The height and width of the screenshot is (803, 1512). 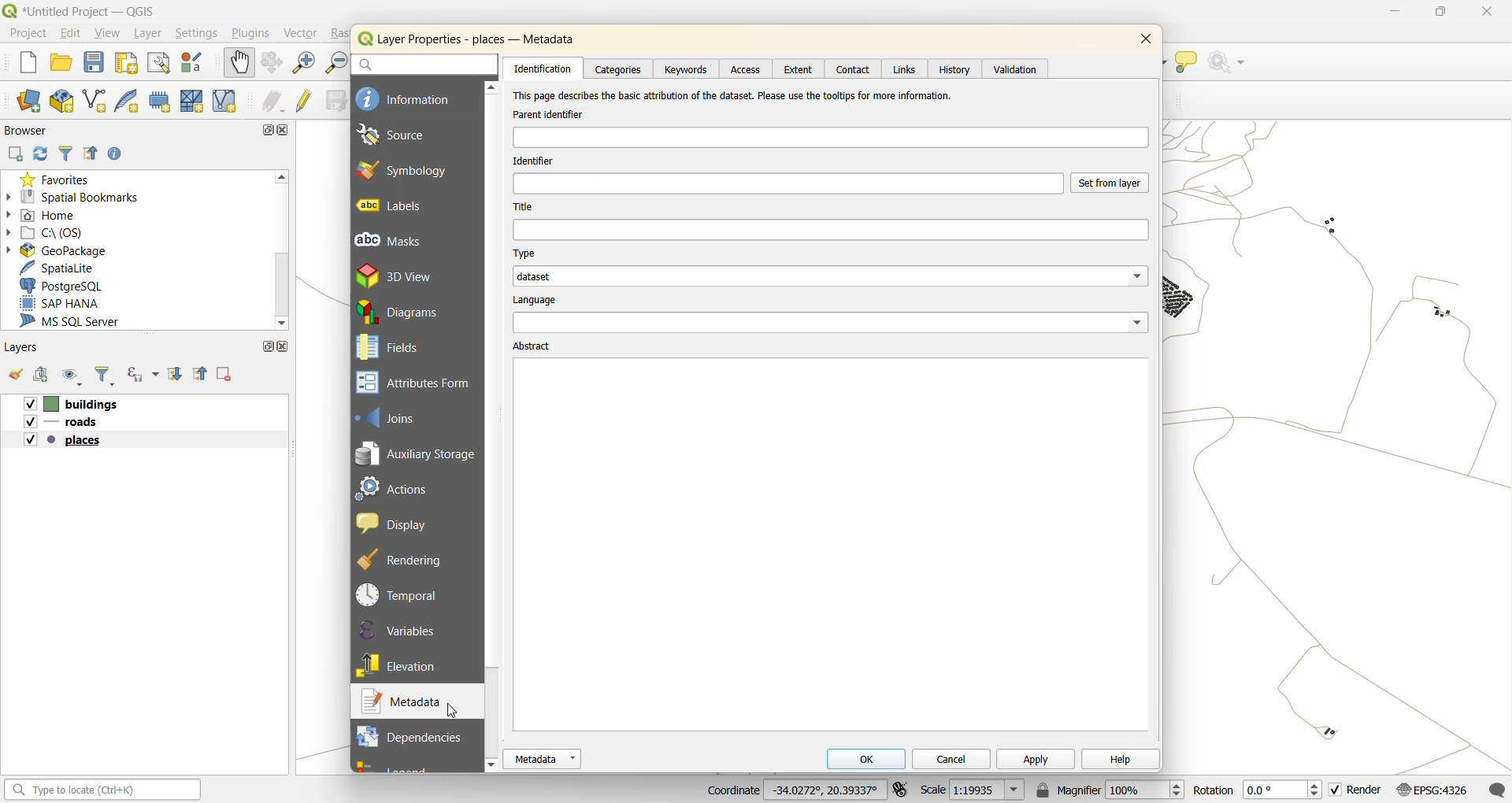 What do you see at coordinates (413, 382) in the screenshot?
I see `attribute forms` at bounding box center [413, 382].